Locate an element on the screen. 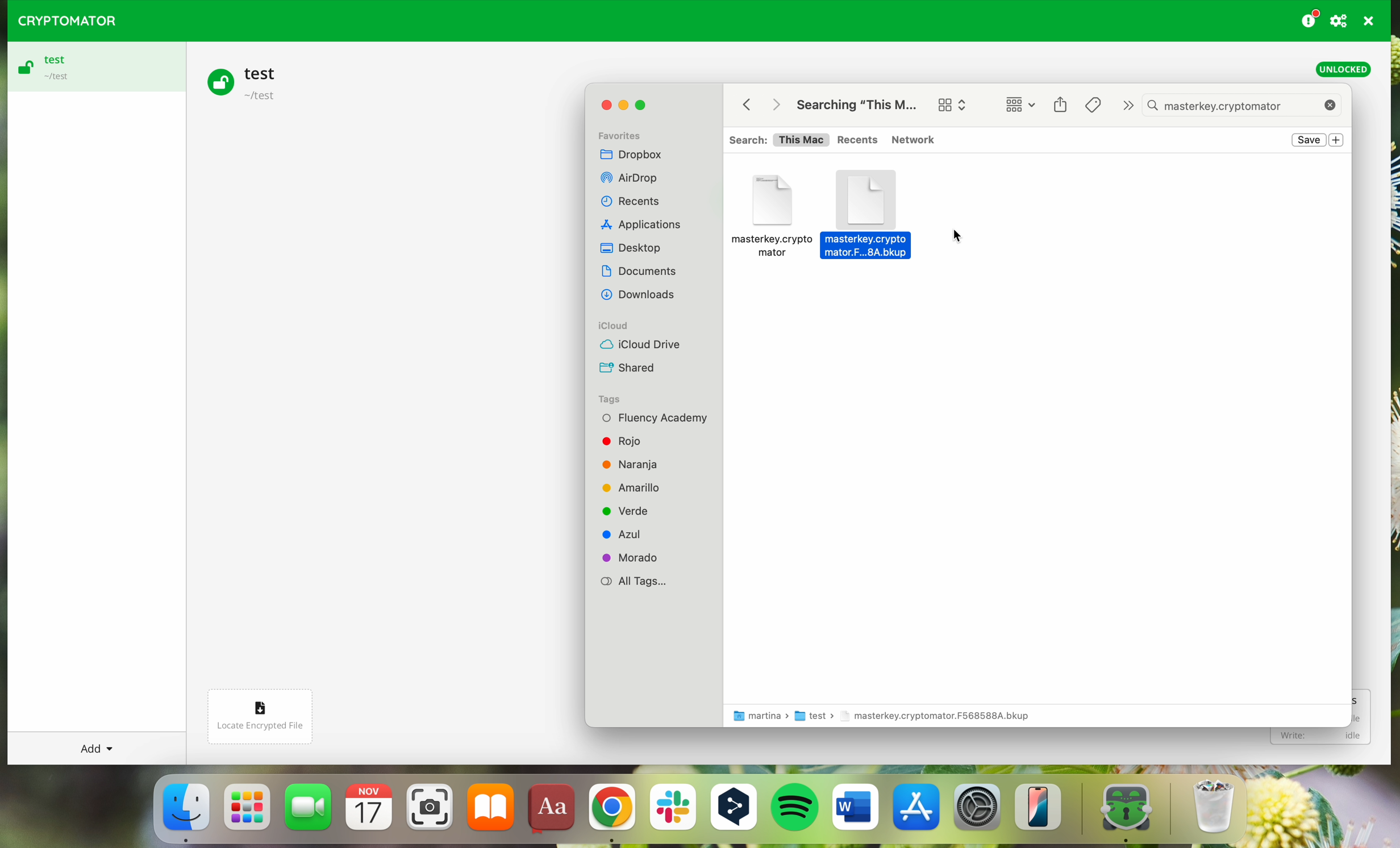 The width and height of the screenshot is (1400, 848). Appstore is located at coordinates (918, 811).